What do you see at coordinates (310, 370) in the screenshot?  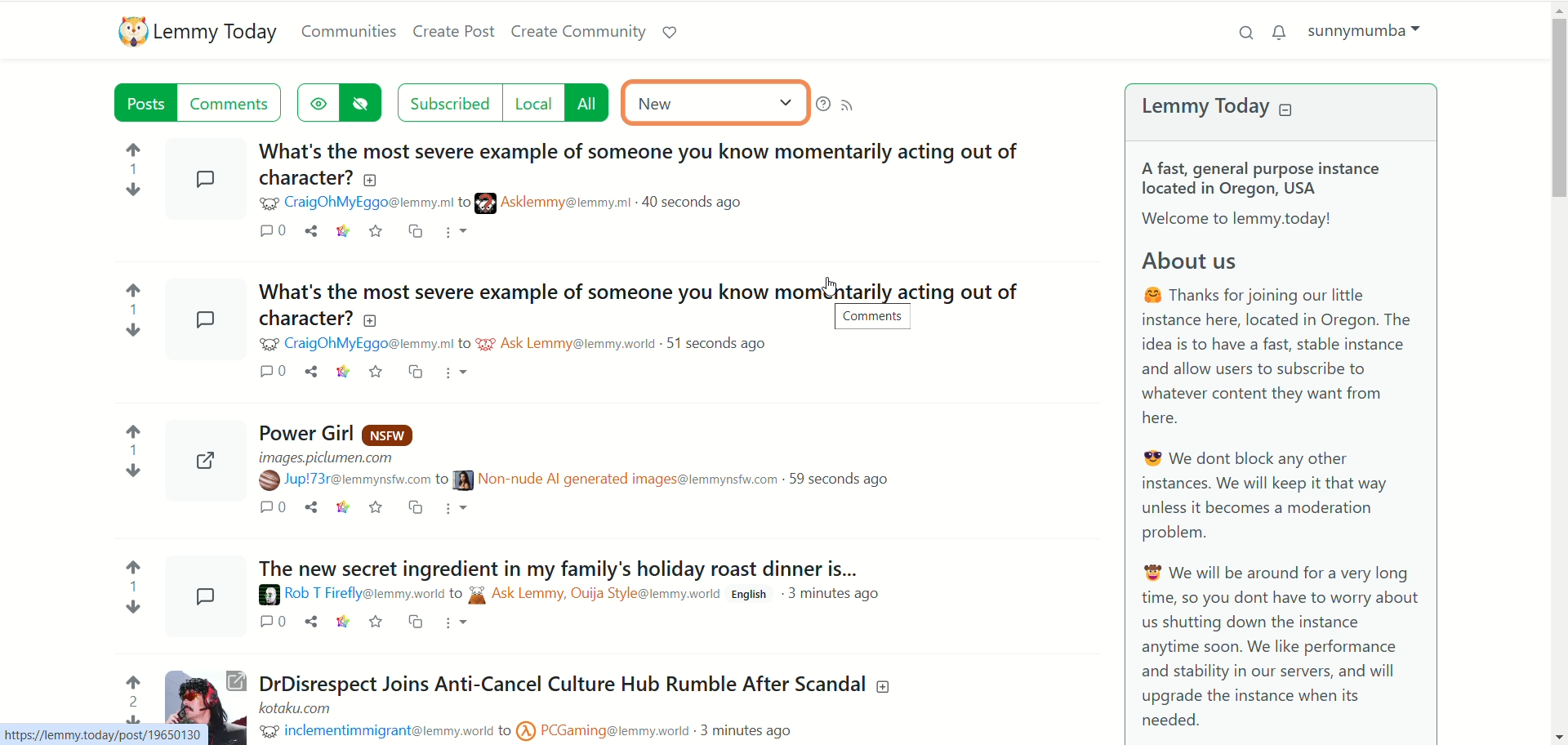 I see `share` at bounding box center [310, 370].